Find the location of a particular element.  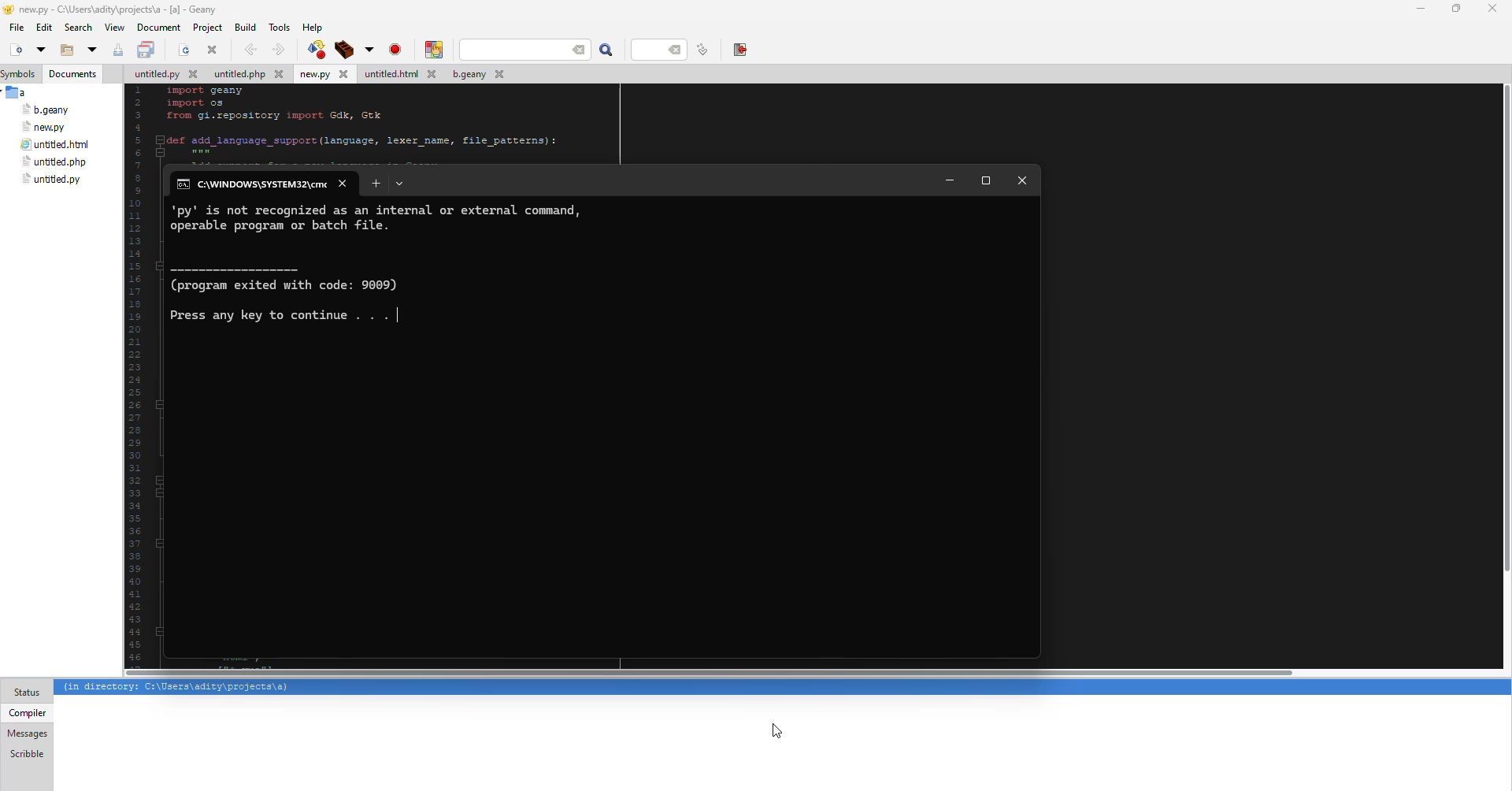

search is located at coordinates (78, 28).